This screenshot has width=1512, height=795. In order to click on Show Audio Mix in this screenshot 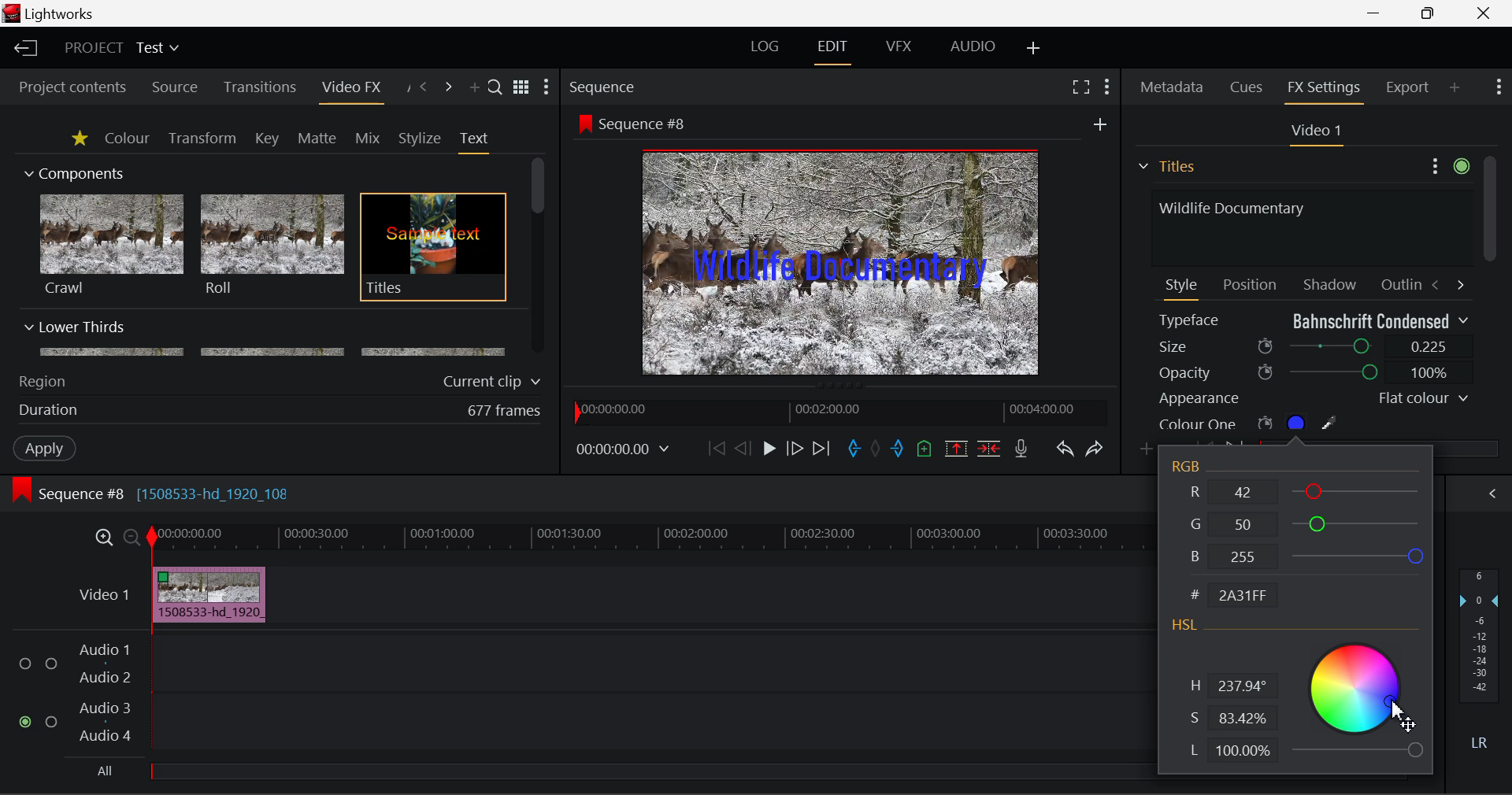, I will do `click(1490, 494)`.